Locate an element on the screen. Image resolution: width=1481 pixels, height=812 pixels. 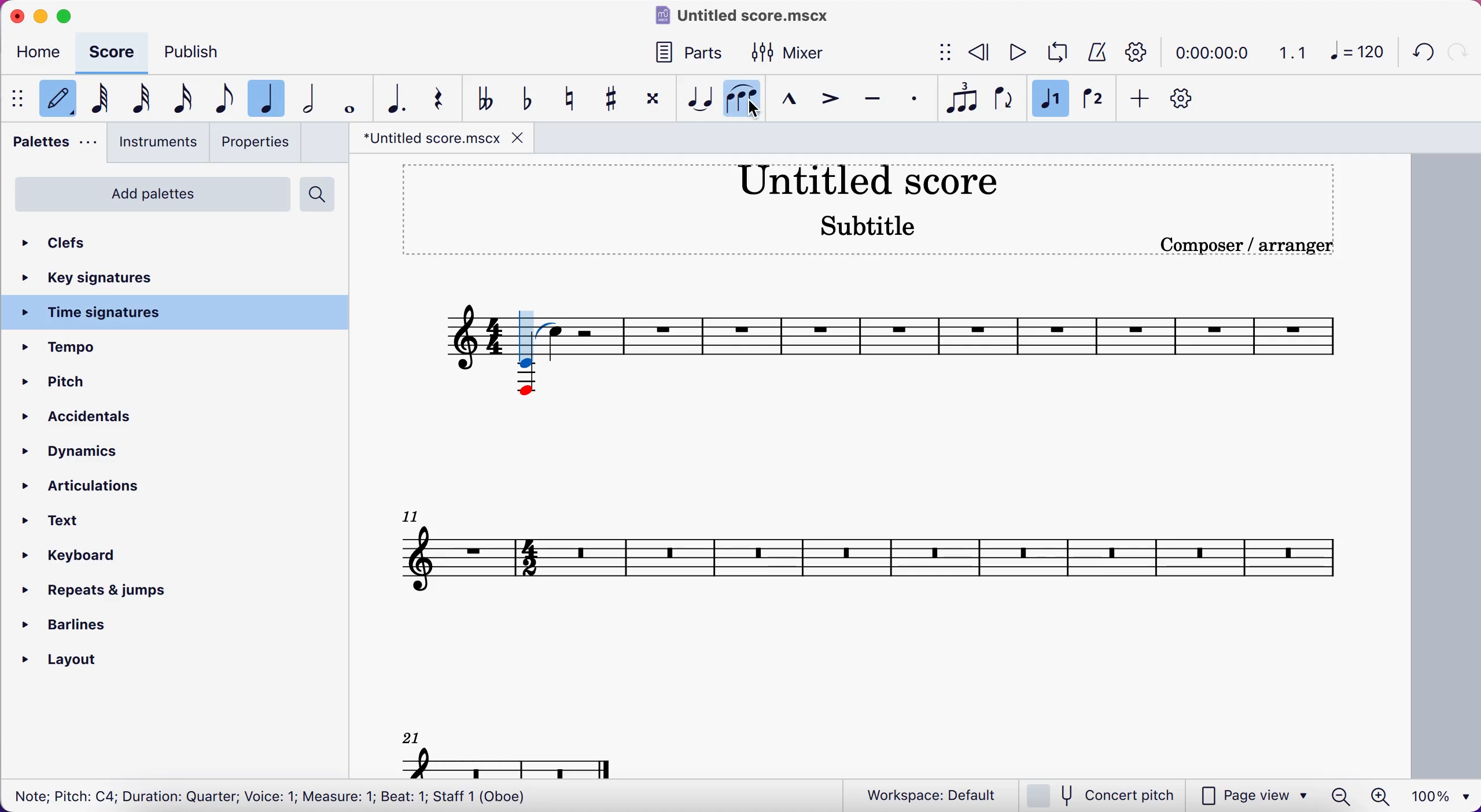
maximize is located at coordinates (73, 17).